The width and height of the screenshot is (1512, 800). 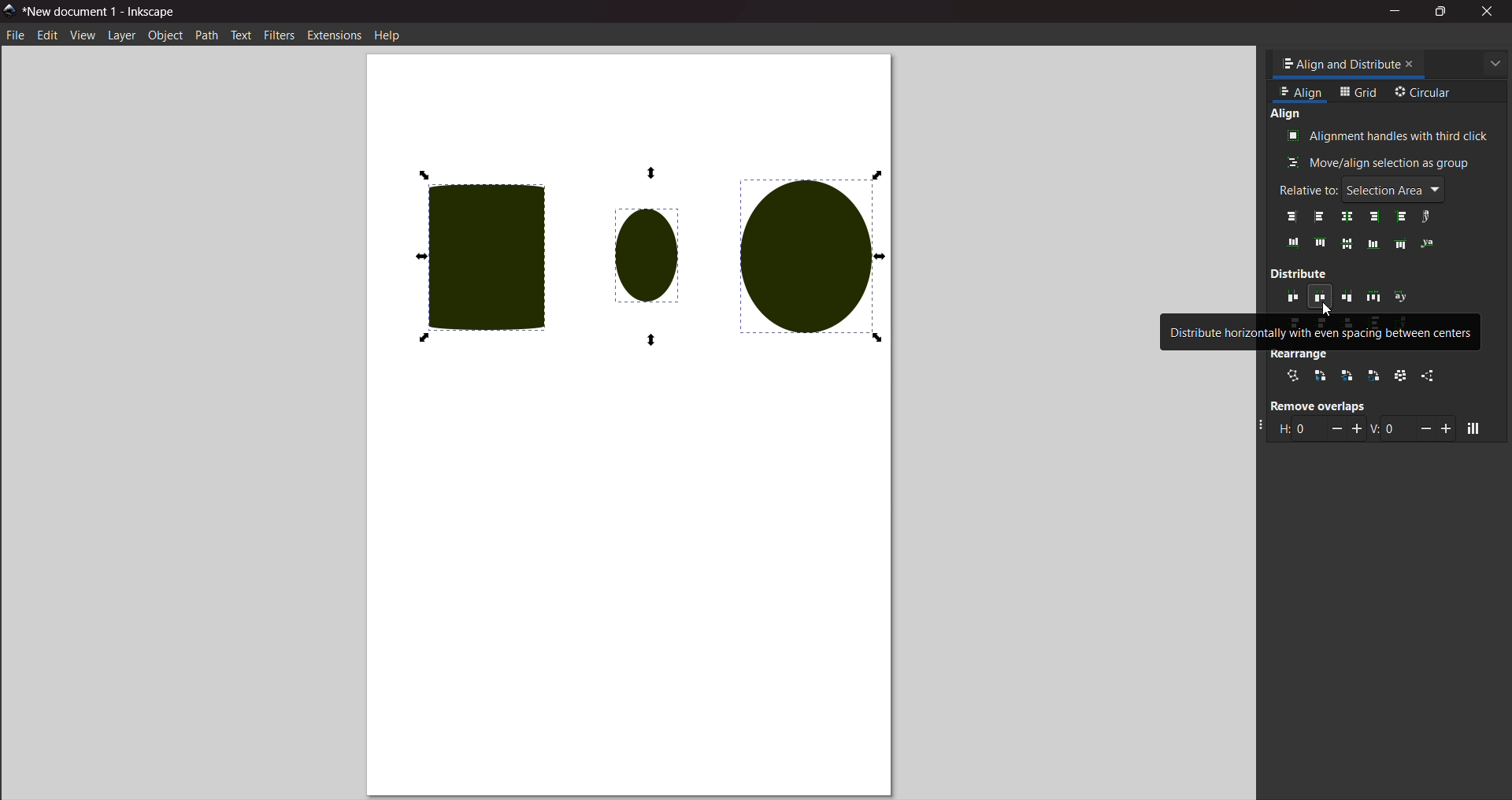 What do you see at coordinates (46, 36) in the screenshot?
I see `edit` at bounding box center [46, 36].